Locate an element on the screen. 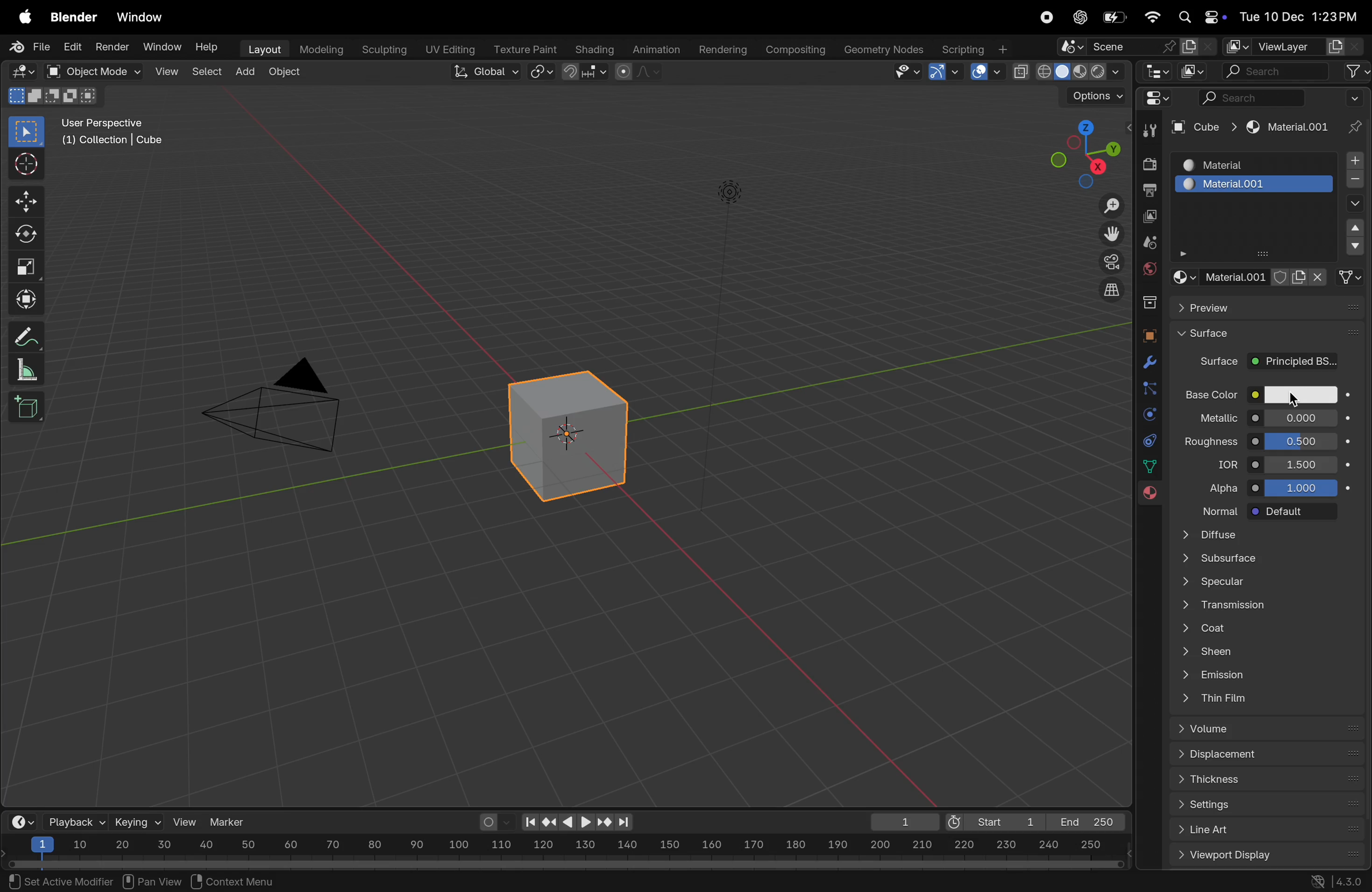  View is located at coordinates (165, 71).